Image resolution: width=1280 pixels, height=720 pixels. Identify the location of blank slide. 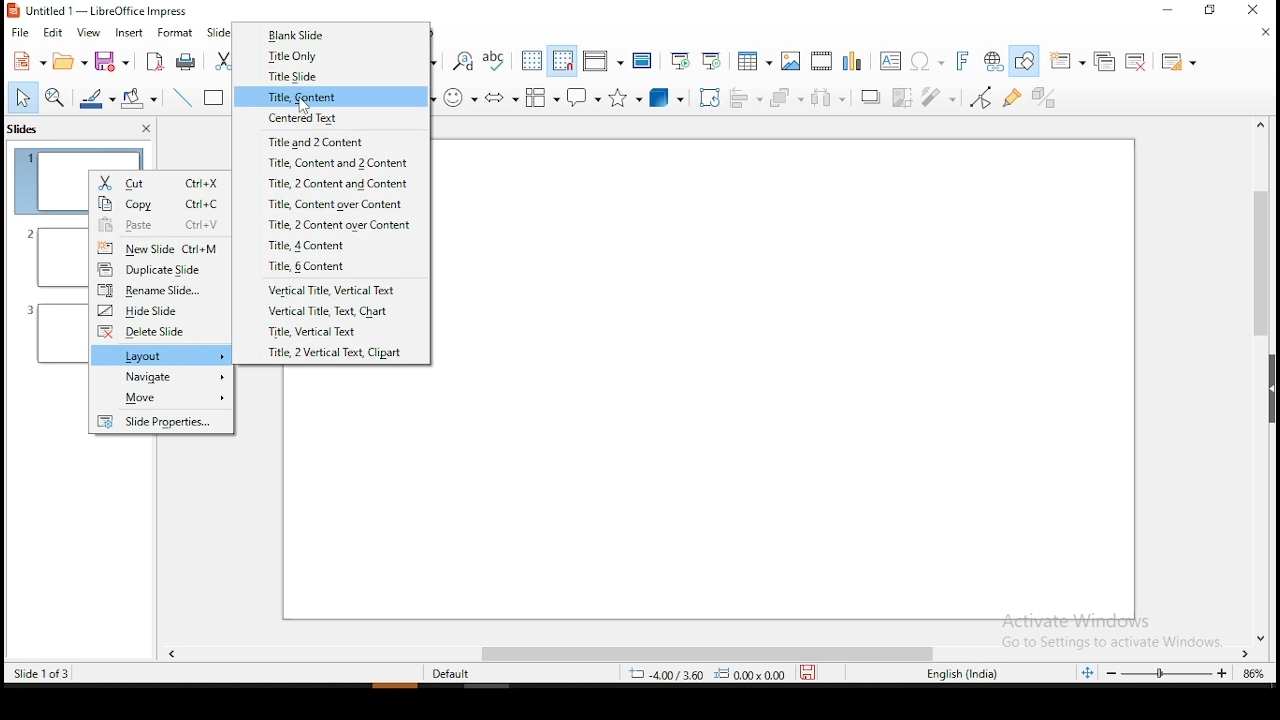
(296, 36).